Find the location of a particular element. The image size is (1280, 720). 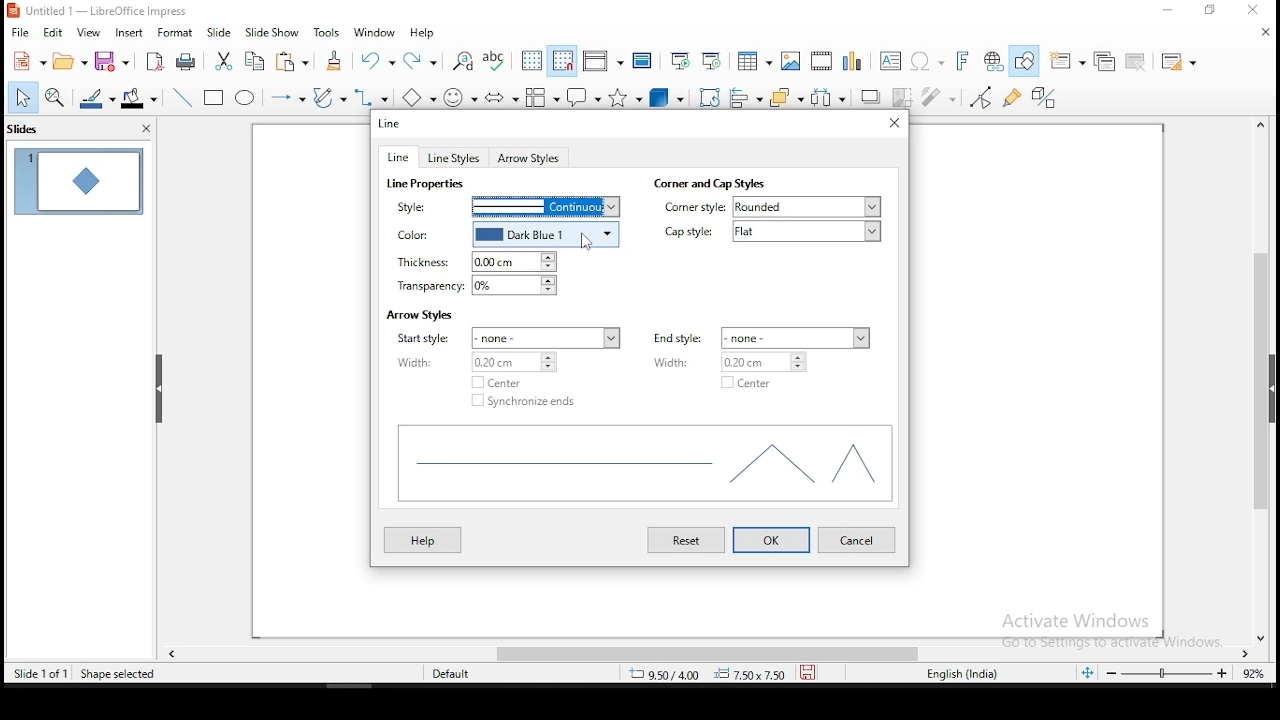

edit is located at coordinates (51, 32).